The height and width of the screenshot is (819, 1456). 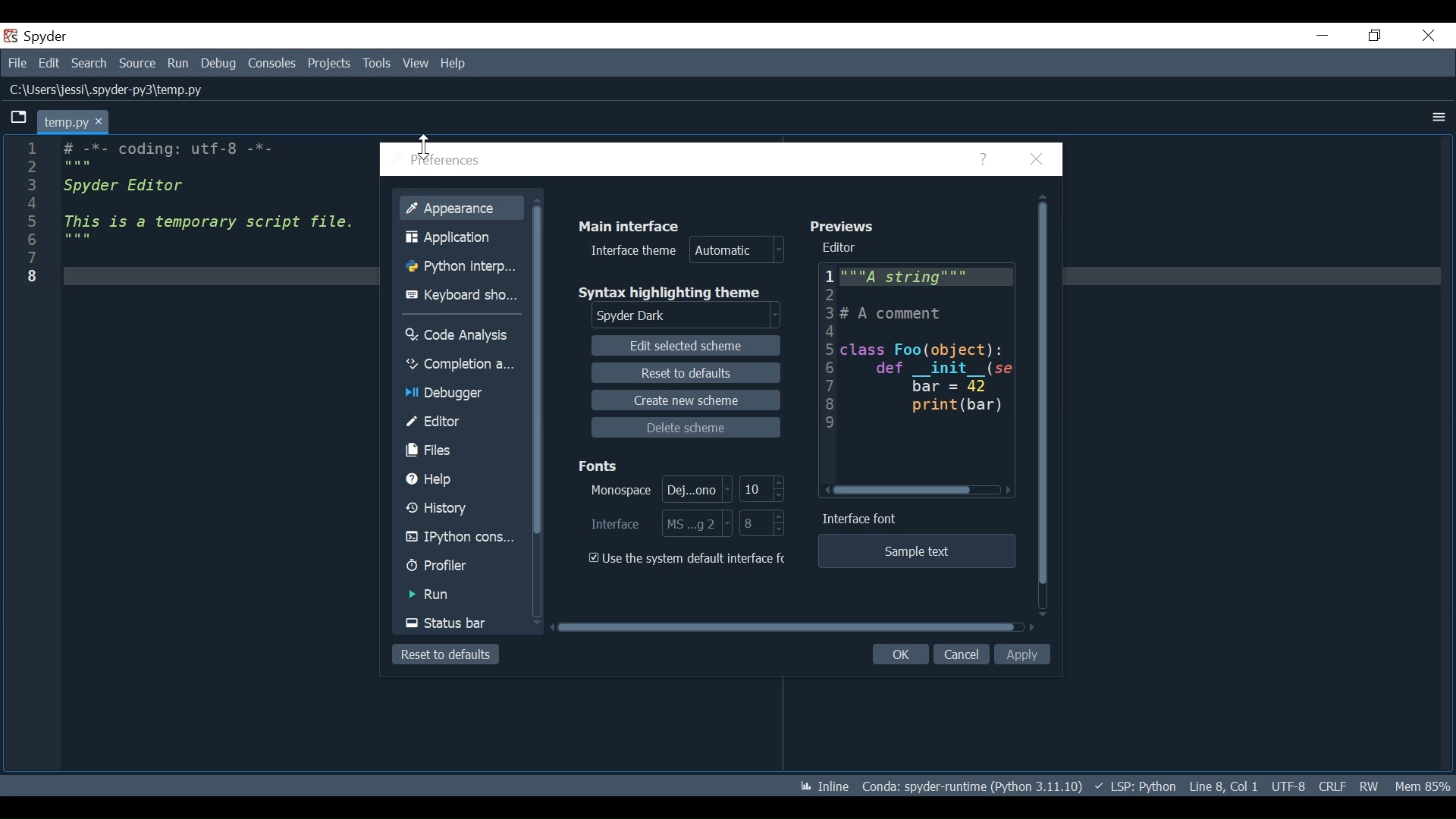 I want to click on Reset to defaults, so click(x=686, y=375).